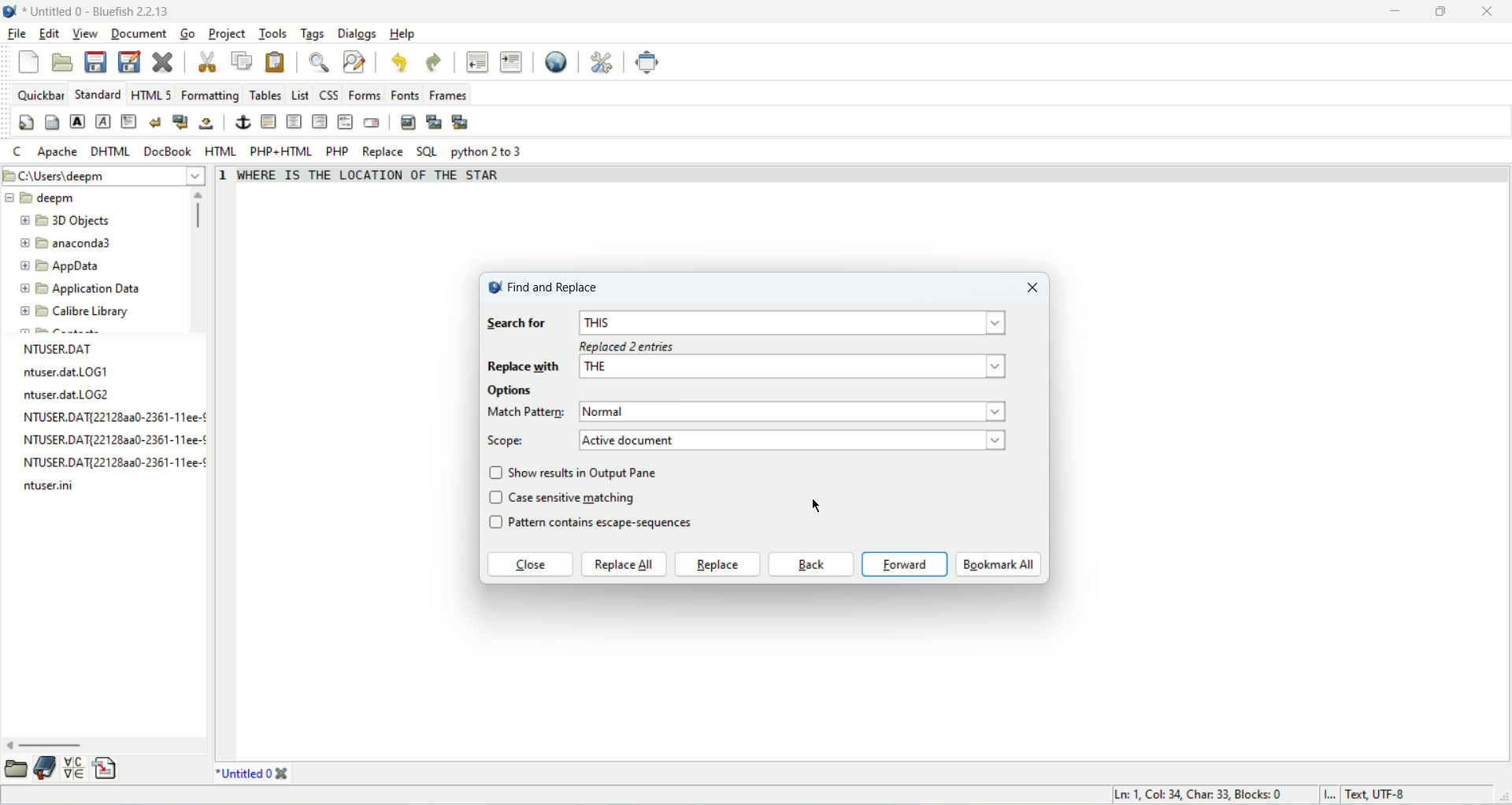  I want to click on tables, so click(265, 96).